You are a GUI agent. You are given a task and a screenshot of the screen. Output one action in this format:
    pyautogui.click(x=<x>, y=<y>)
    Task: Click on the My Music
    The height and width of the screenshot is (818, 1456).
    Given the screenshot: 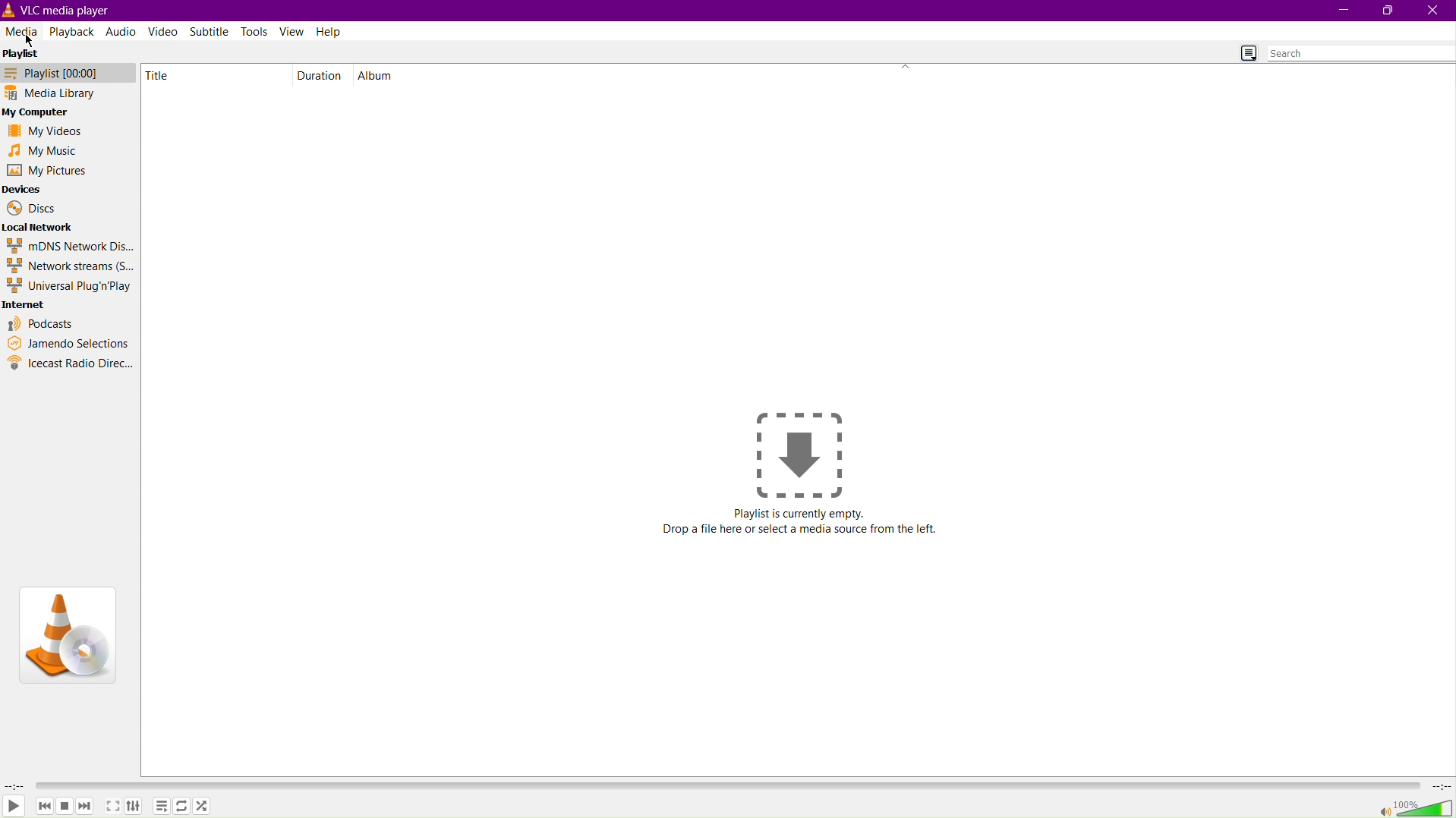 What is the action you would take?
    pyautogui.click(x=49, y=151)
    